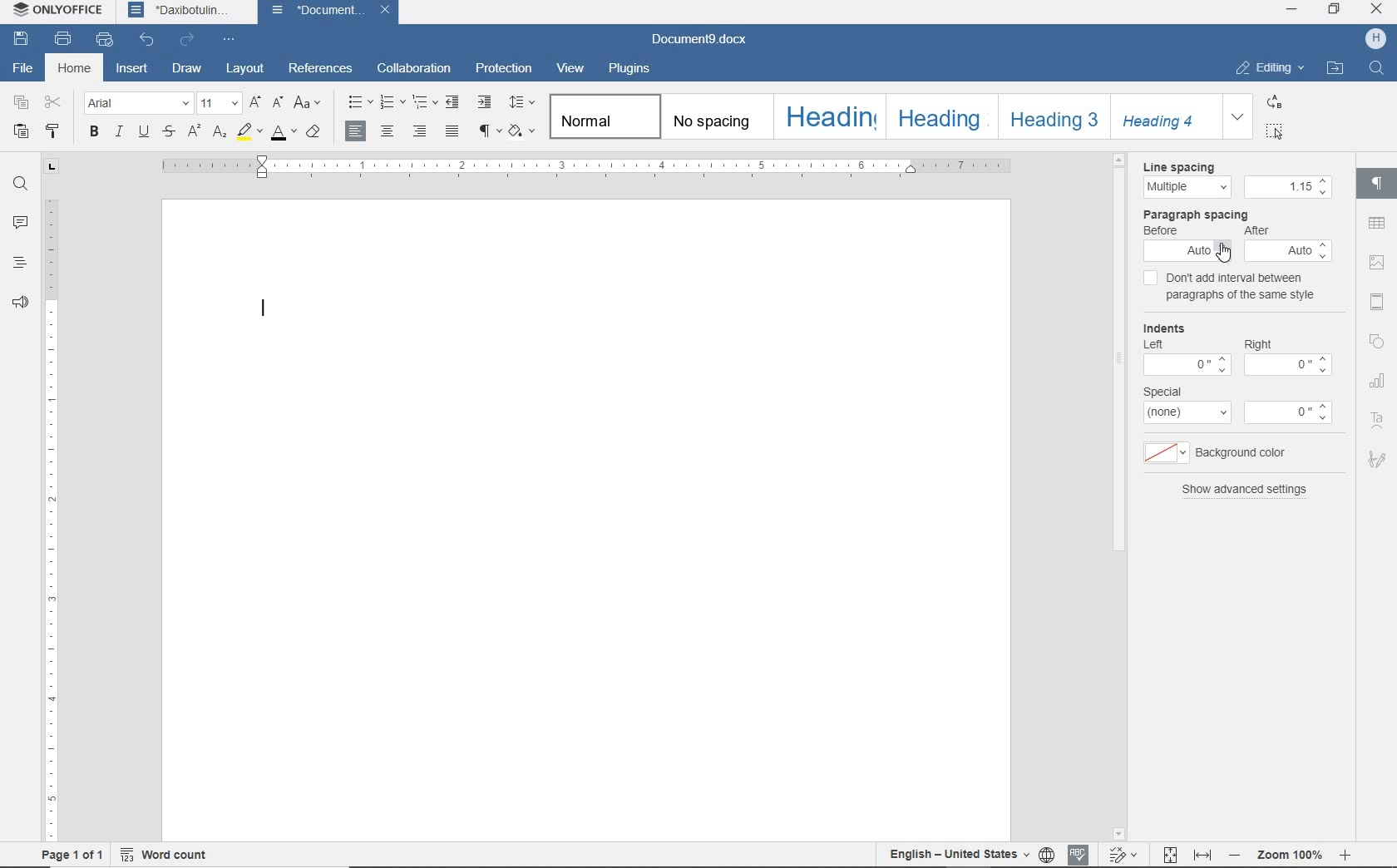 This screenshot has height=868, width=1397. Describe the element at coordinates (21, 42) in the screenshot. I see `save` at that location.